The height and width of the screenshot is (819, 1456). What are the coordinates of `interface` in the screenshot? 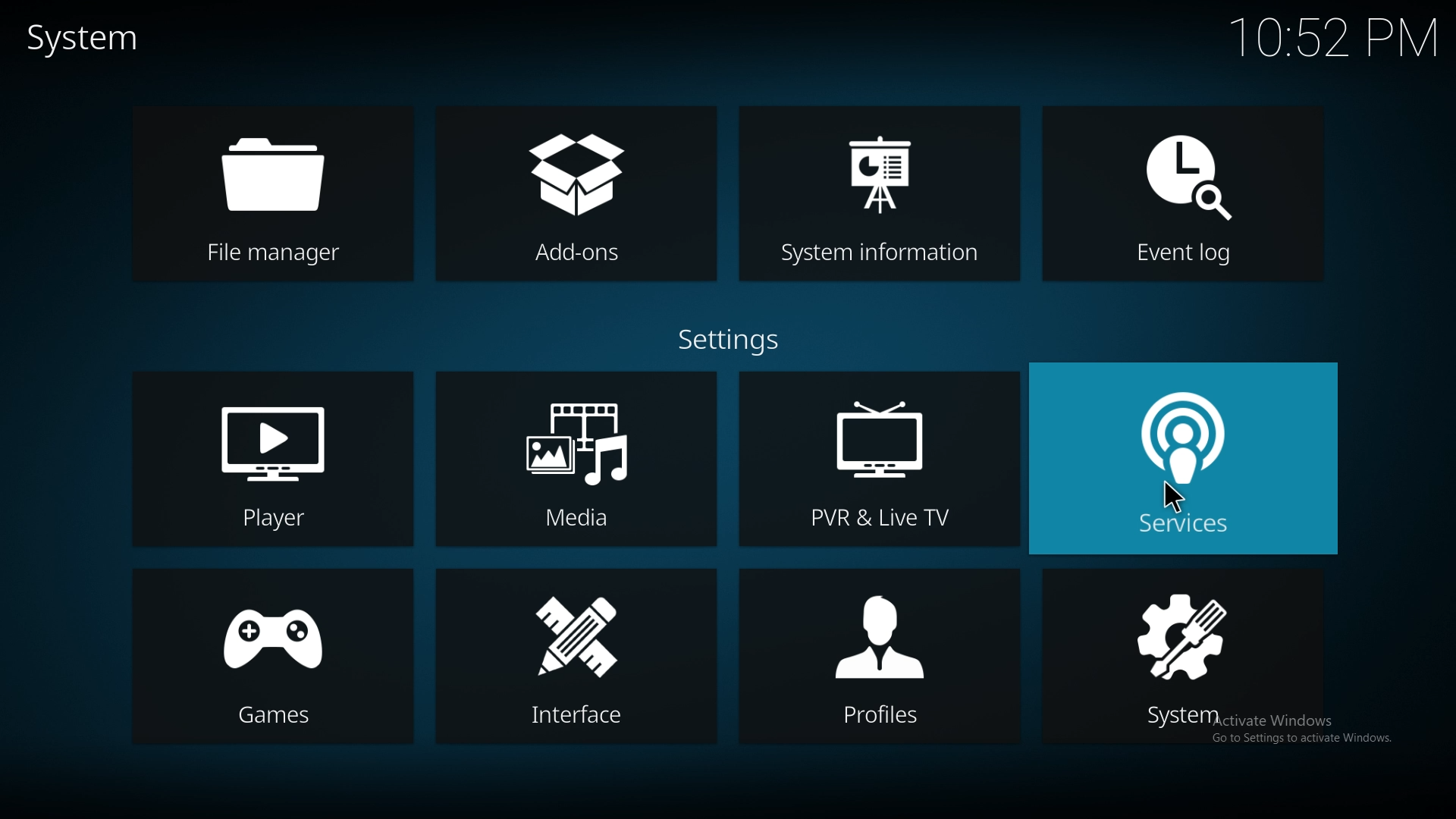 It's located at (576, 656).